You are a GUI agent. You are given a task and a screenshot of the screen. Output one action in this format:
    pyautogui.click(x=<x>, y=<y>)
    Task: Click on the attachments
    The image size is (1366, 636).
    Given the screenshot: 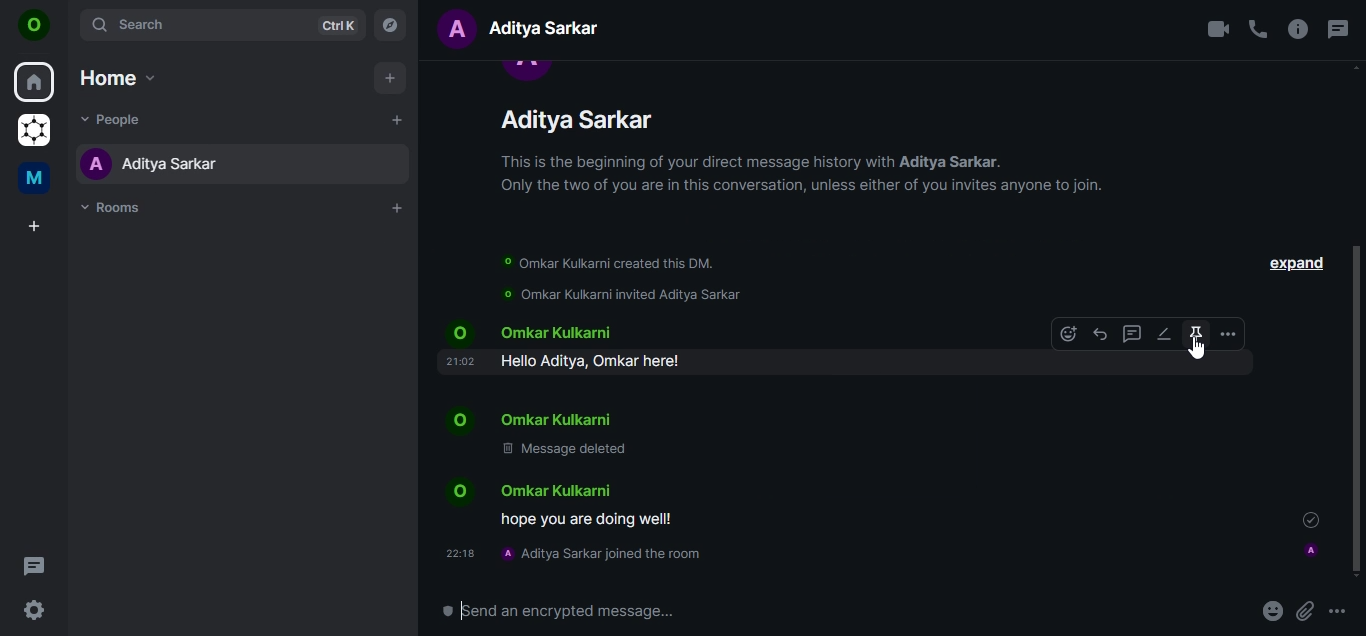 What is the action you would take?
    pyautogui.click(x=1306, y=611)
    